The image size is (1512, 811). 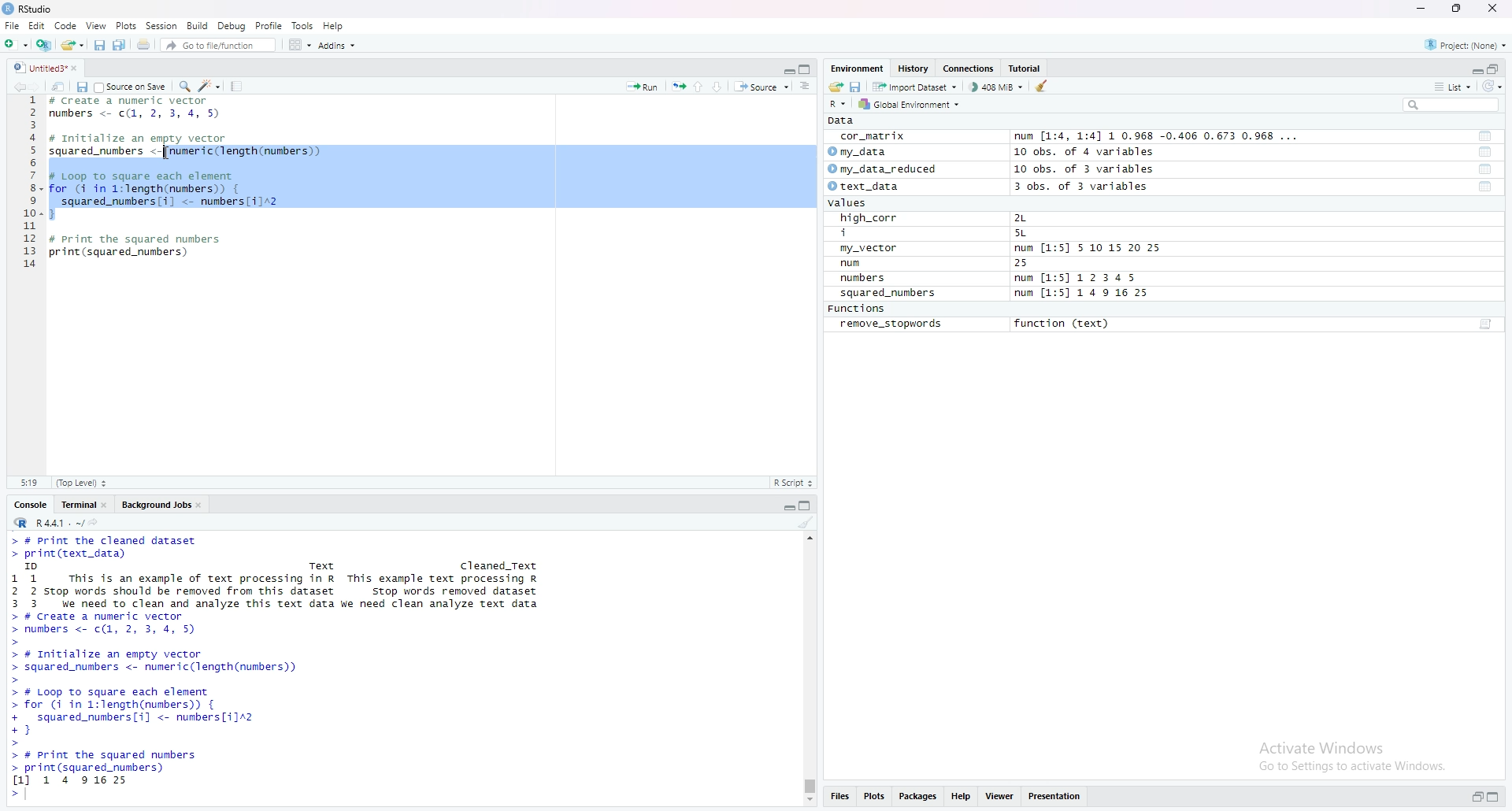 What do you see at coordinates (269, 25) in the screenshot?
I see `Profile` at bounding box center [269, 25].